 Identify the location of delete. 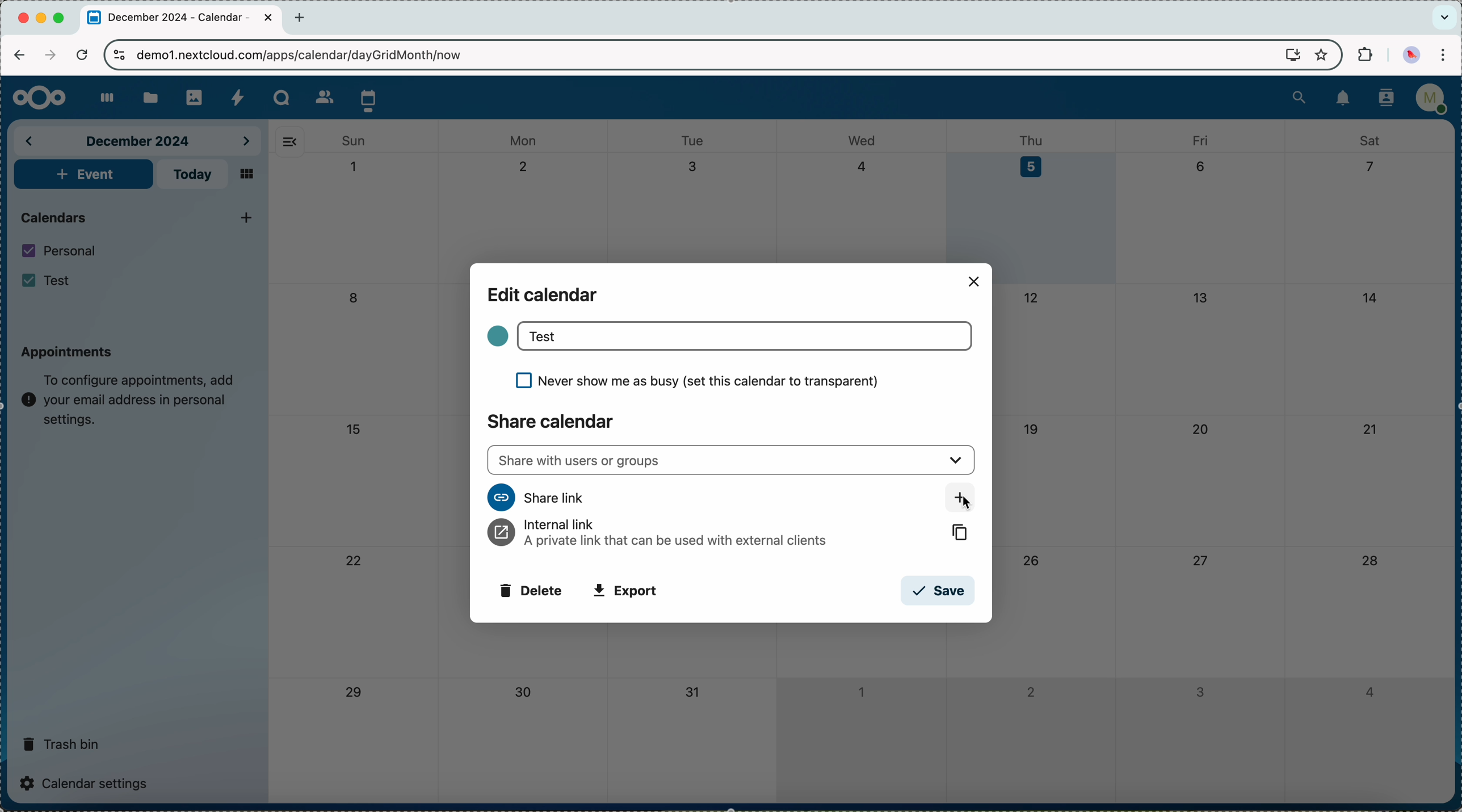
(529, 591).